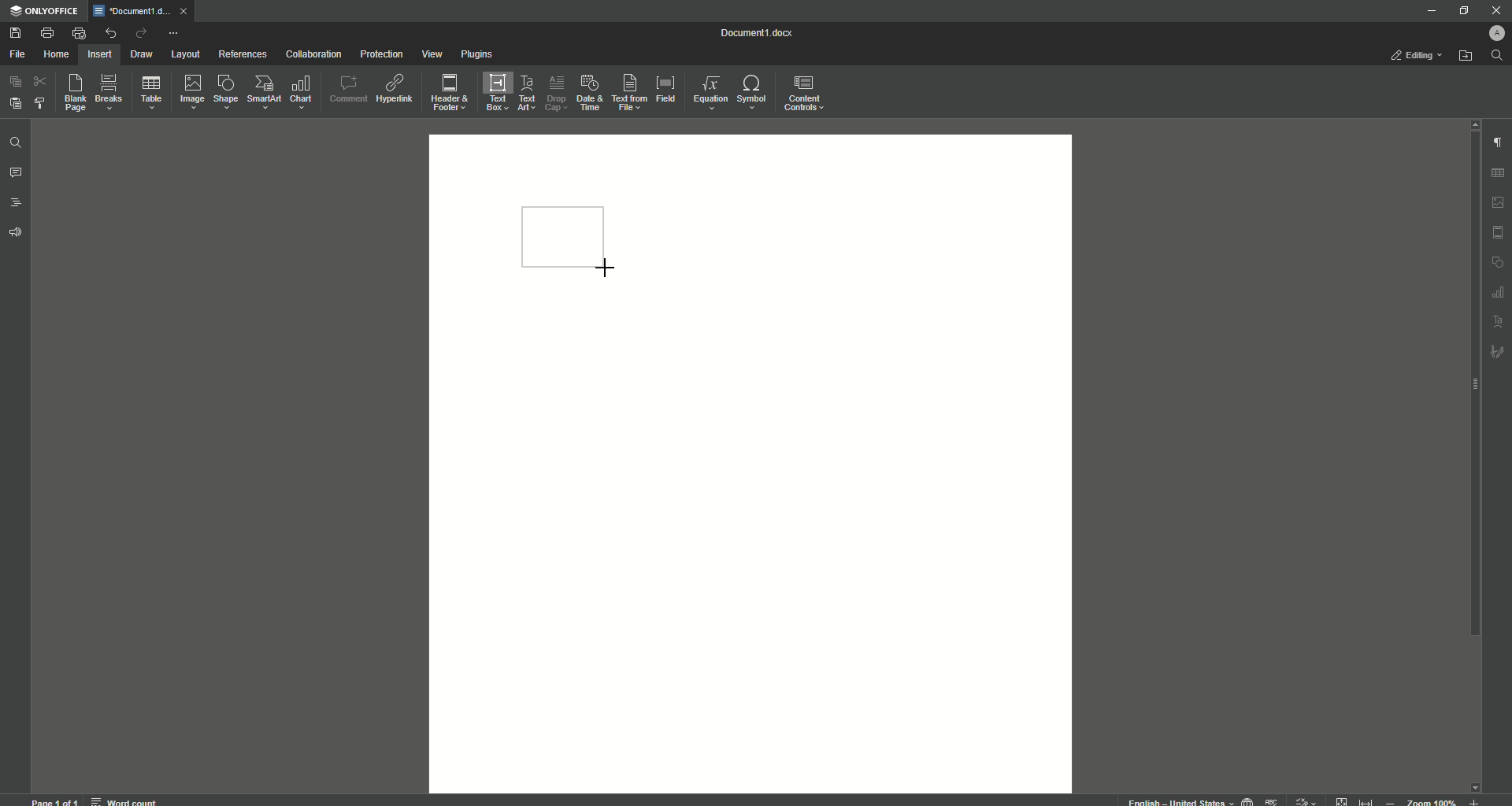  I want to click on Chart, so click(302, 92).